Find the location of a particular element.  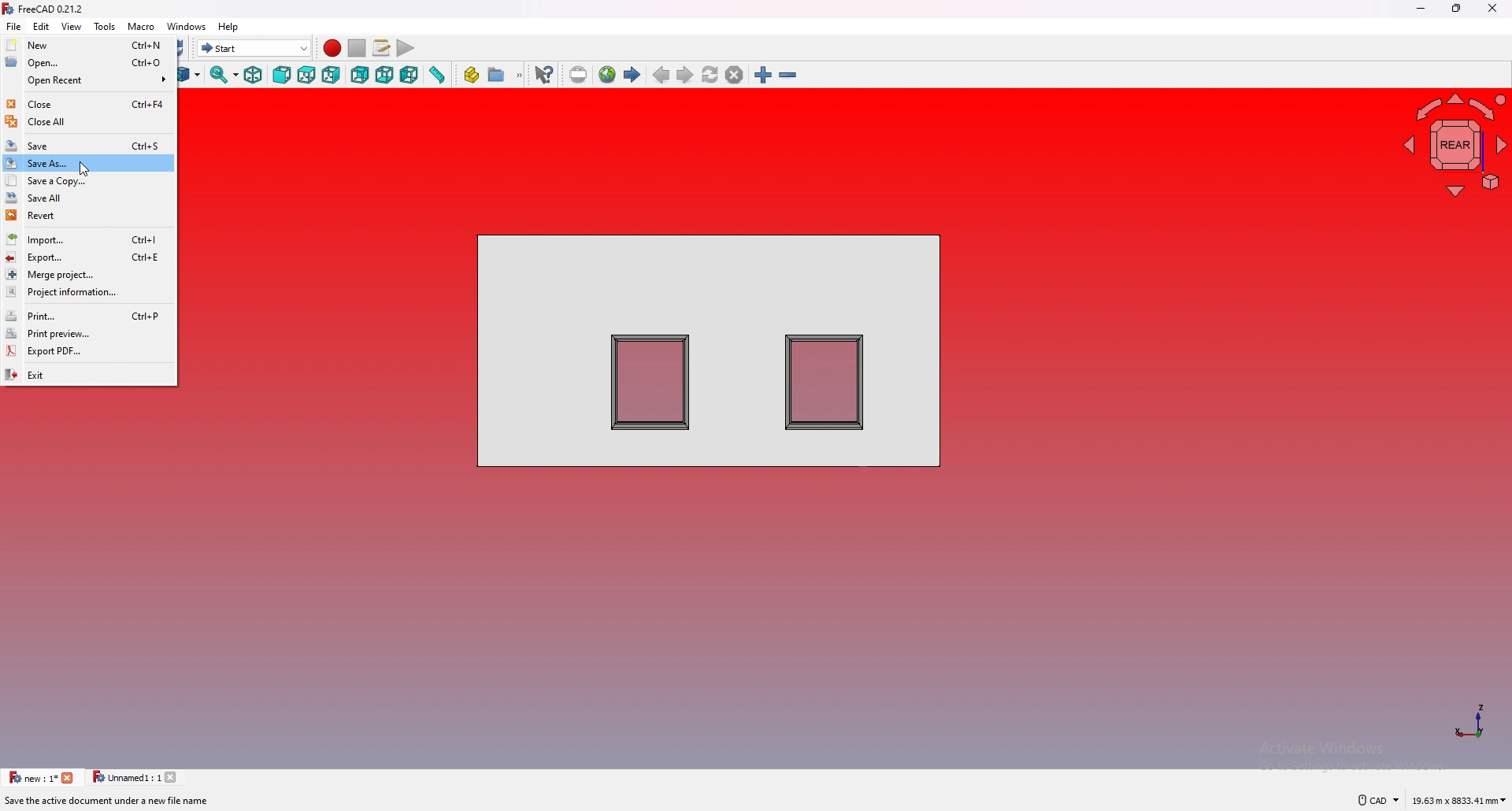

cursor is located at coordinates (84, 169).